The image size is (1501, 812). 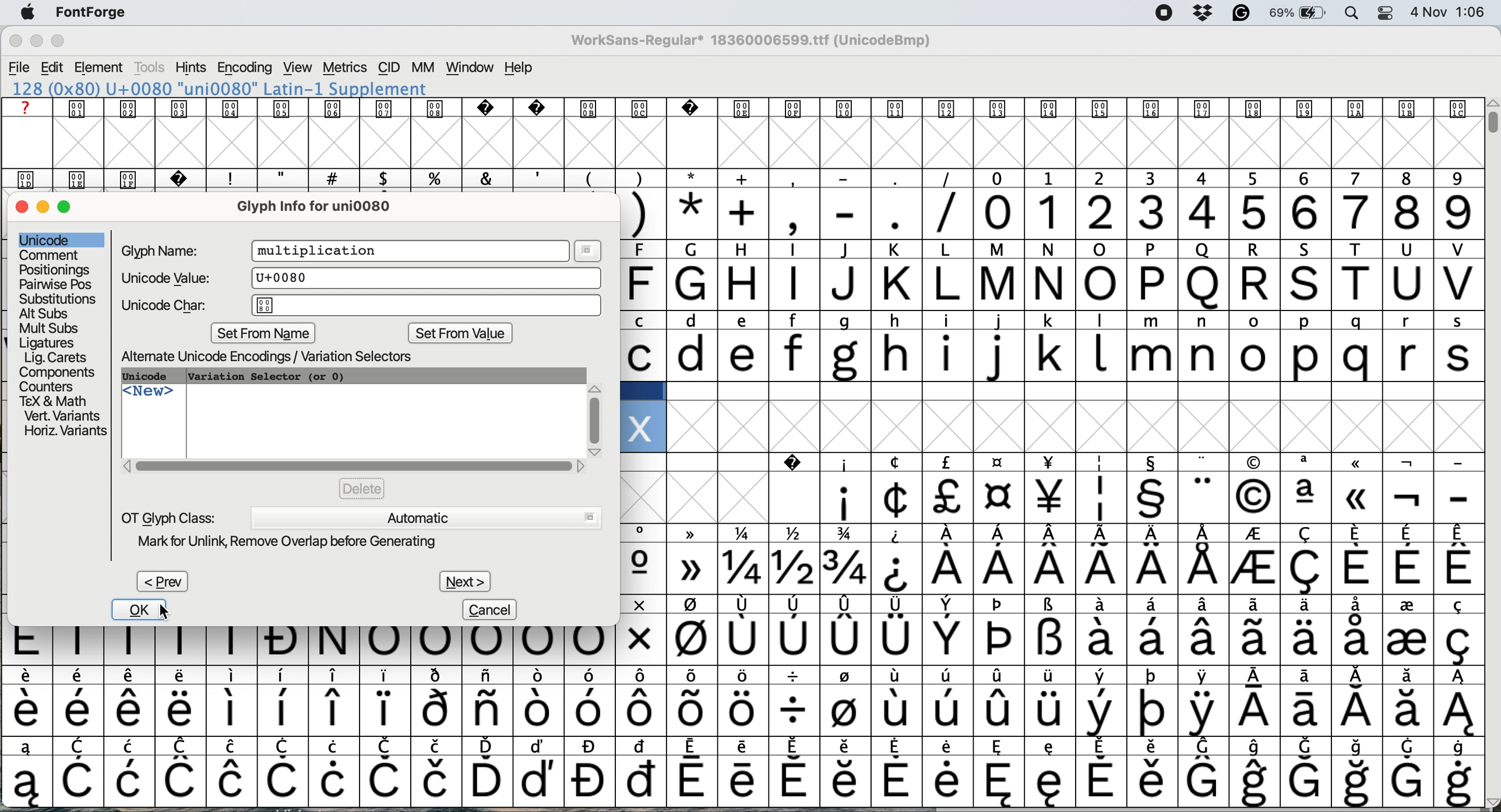 I want to click on special characters, so click(x=1056, y=498).